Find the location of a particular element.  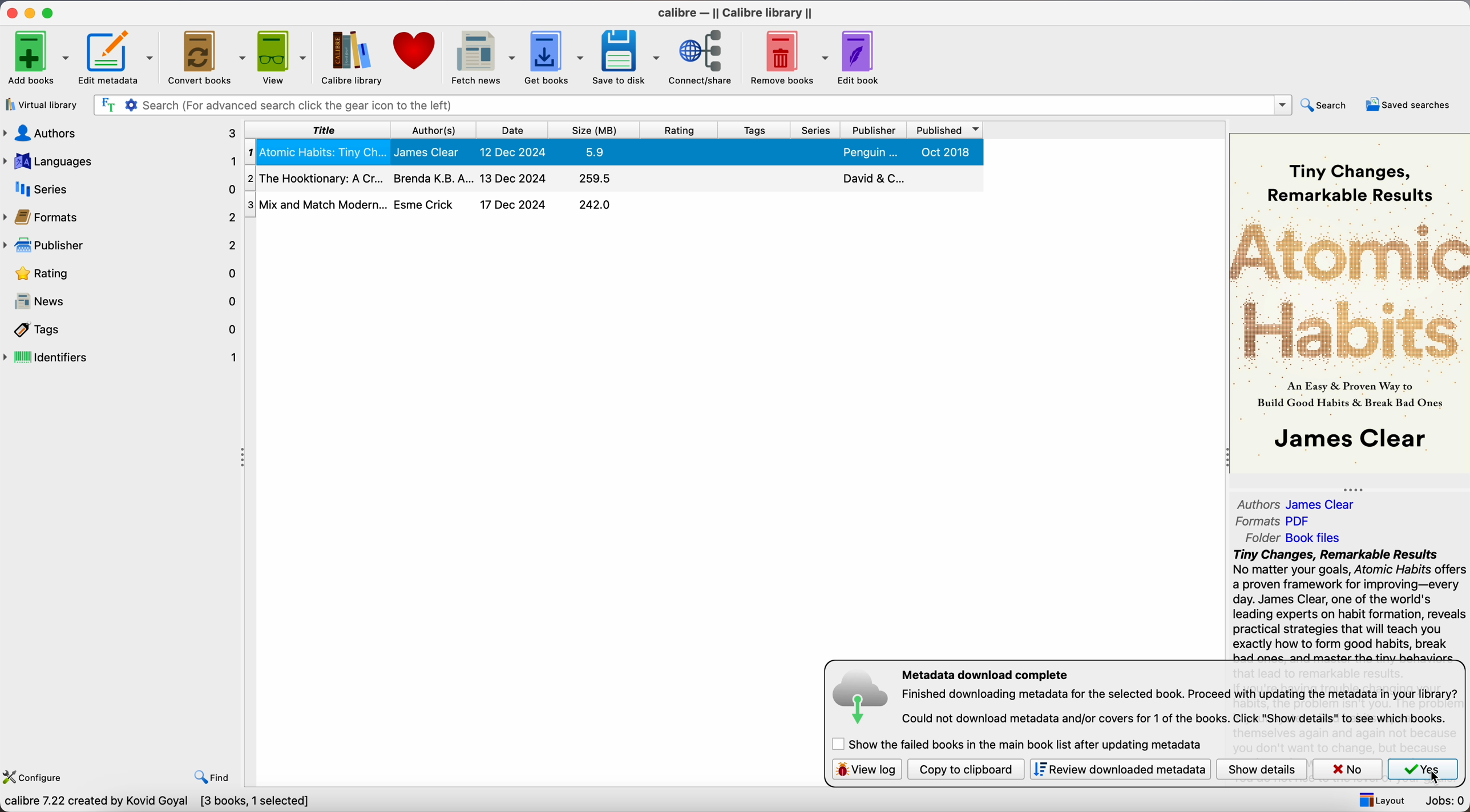

get books is located at coordinates (555, 58).